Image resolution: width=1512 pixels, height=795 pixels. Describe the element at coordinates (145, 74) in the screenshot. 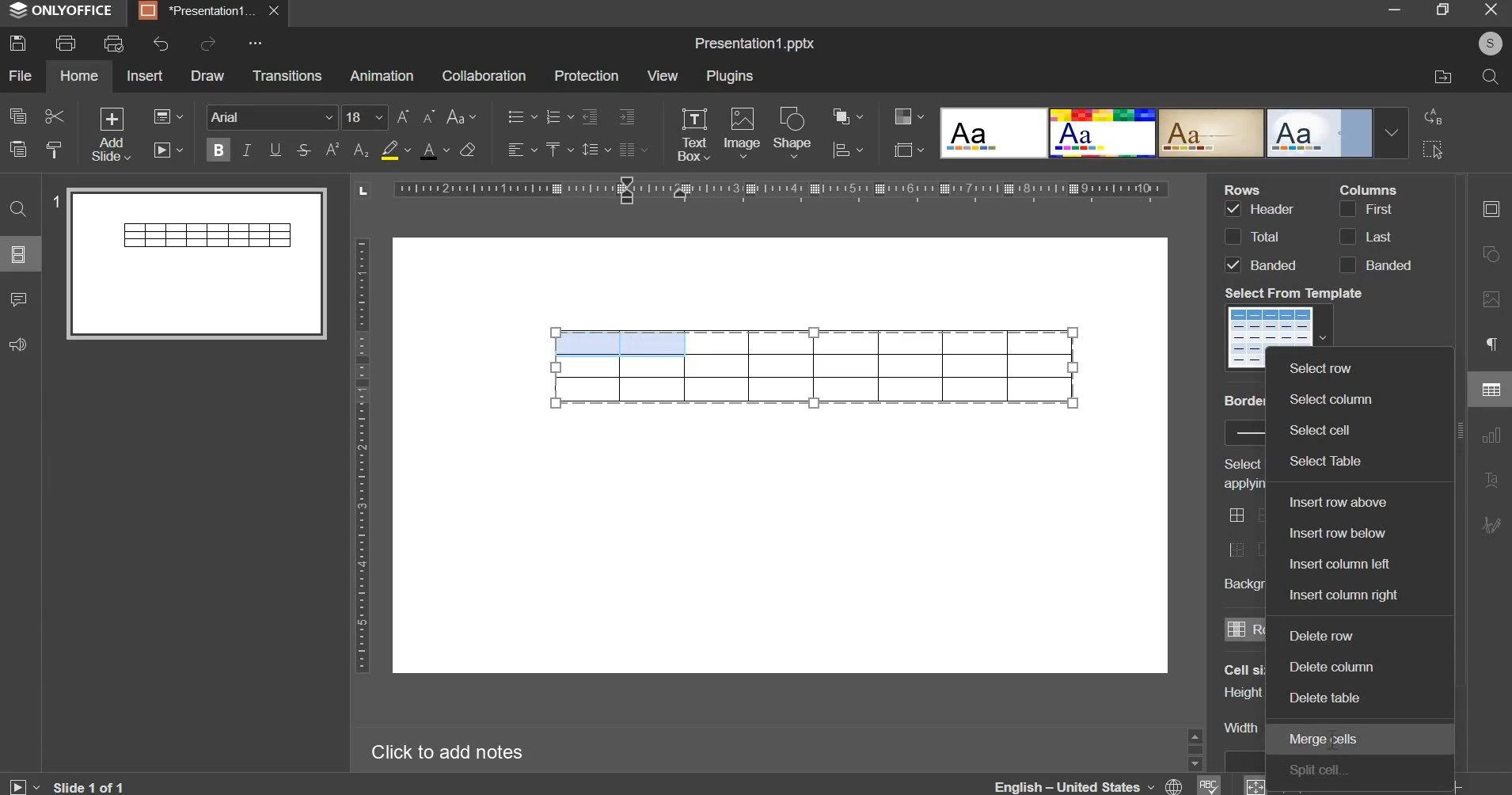

I see `insert` at that location.